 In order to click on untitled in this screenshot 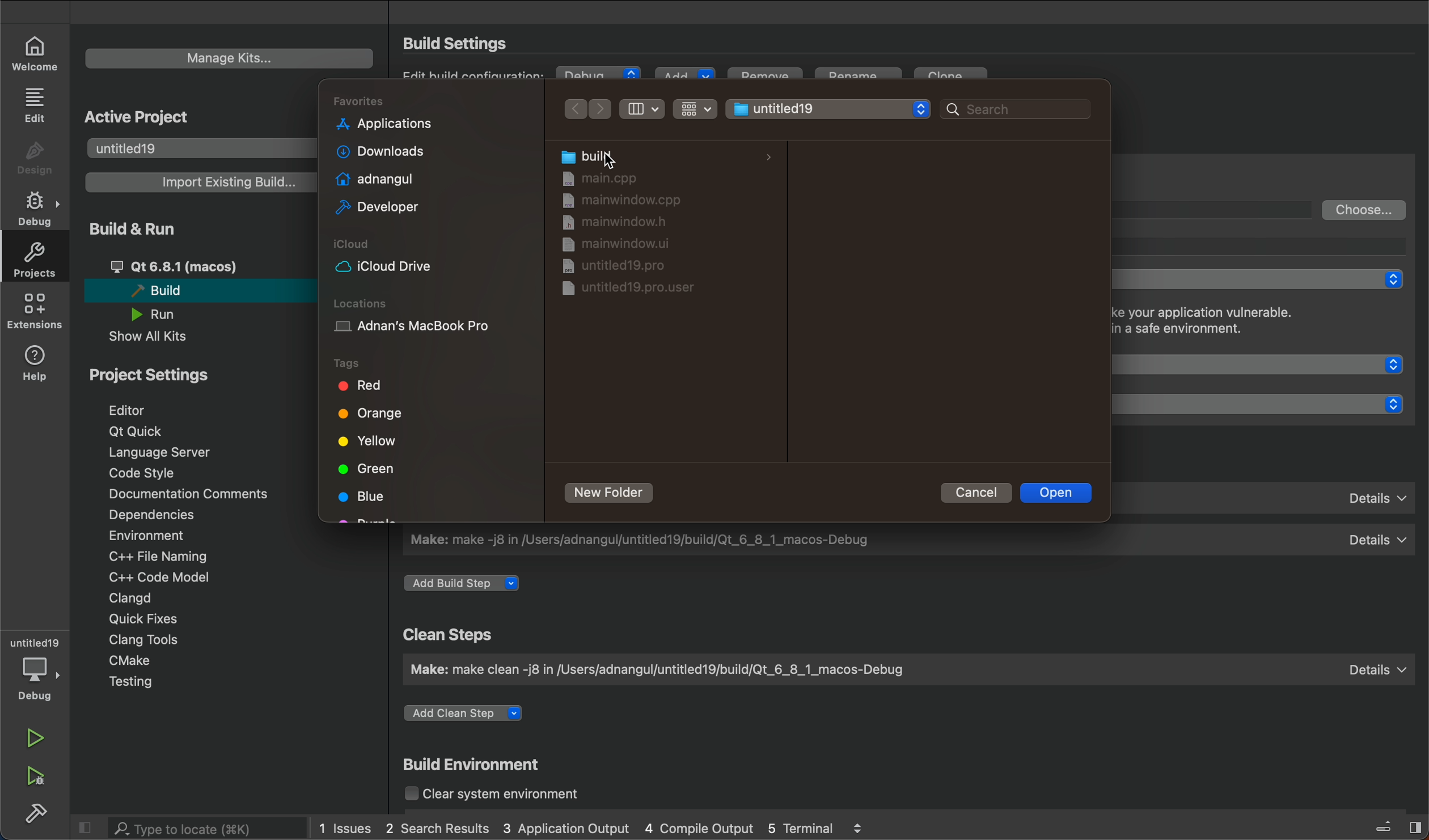, I will do `click(197, 147)`.